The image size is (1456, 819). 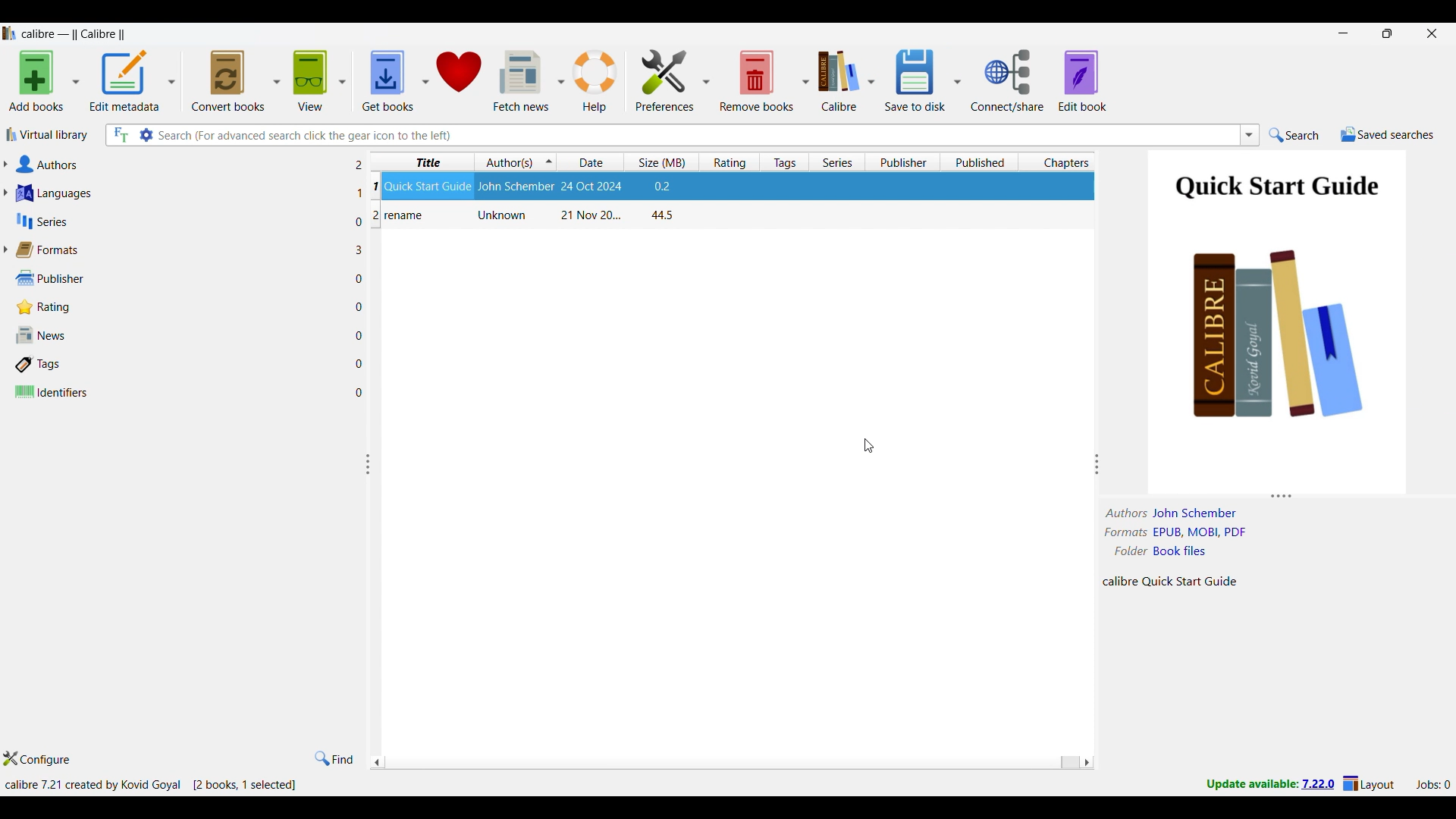 I want to click on Software name, so click(x=74, y=34).